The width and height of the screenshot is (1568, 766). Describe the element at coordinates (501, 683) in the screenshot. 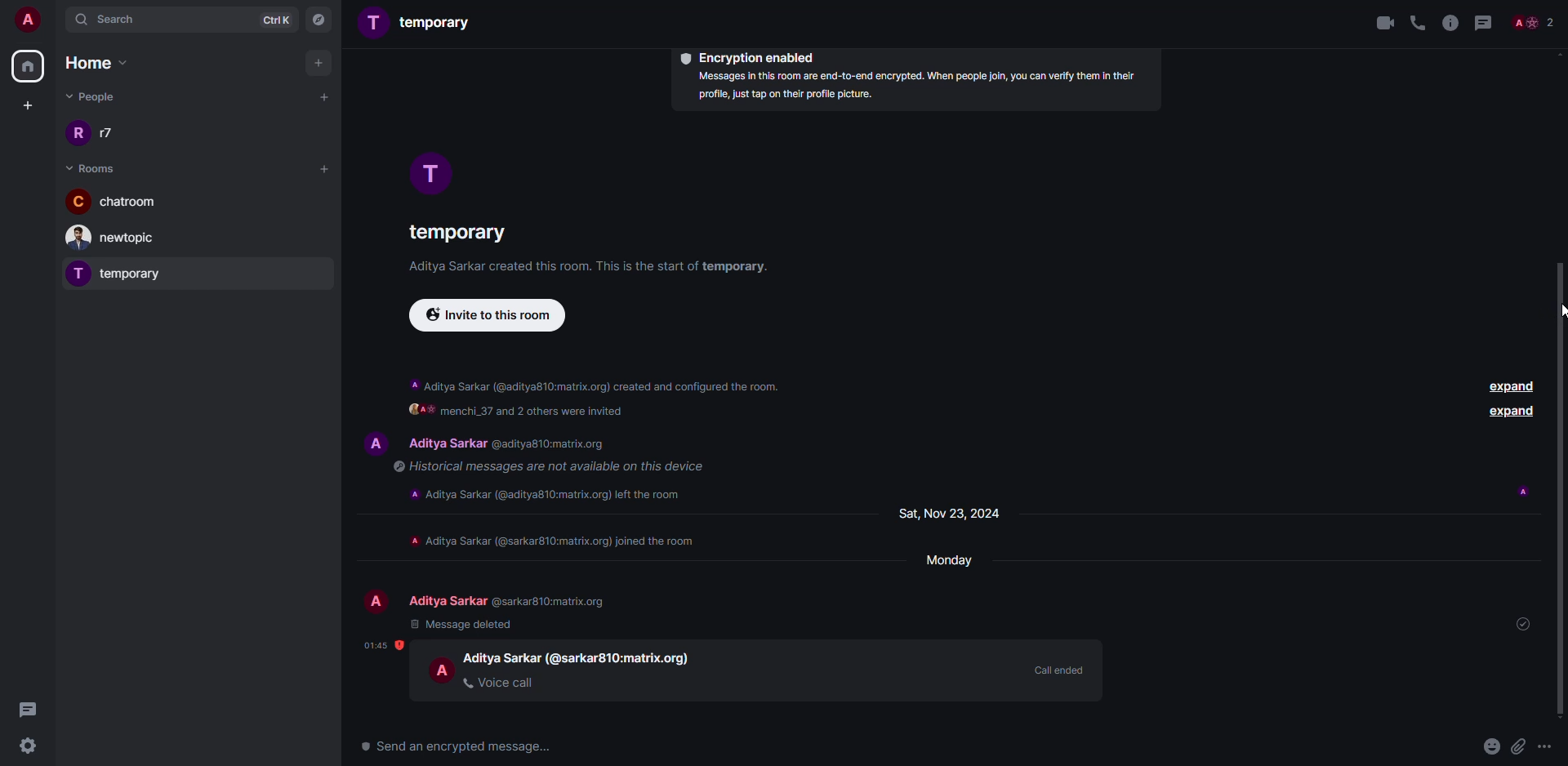

I see `voice call` at that location.